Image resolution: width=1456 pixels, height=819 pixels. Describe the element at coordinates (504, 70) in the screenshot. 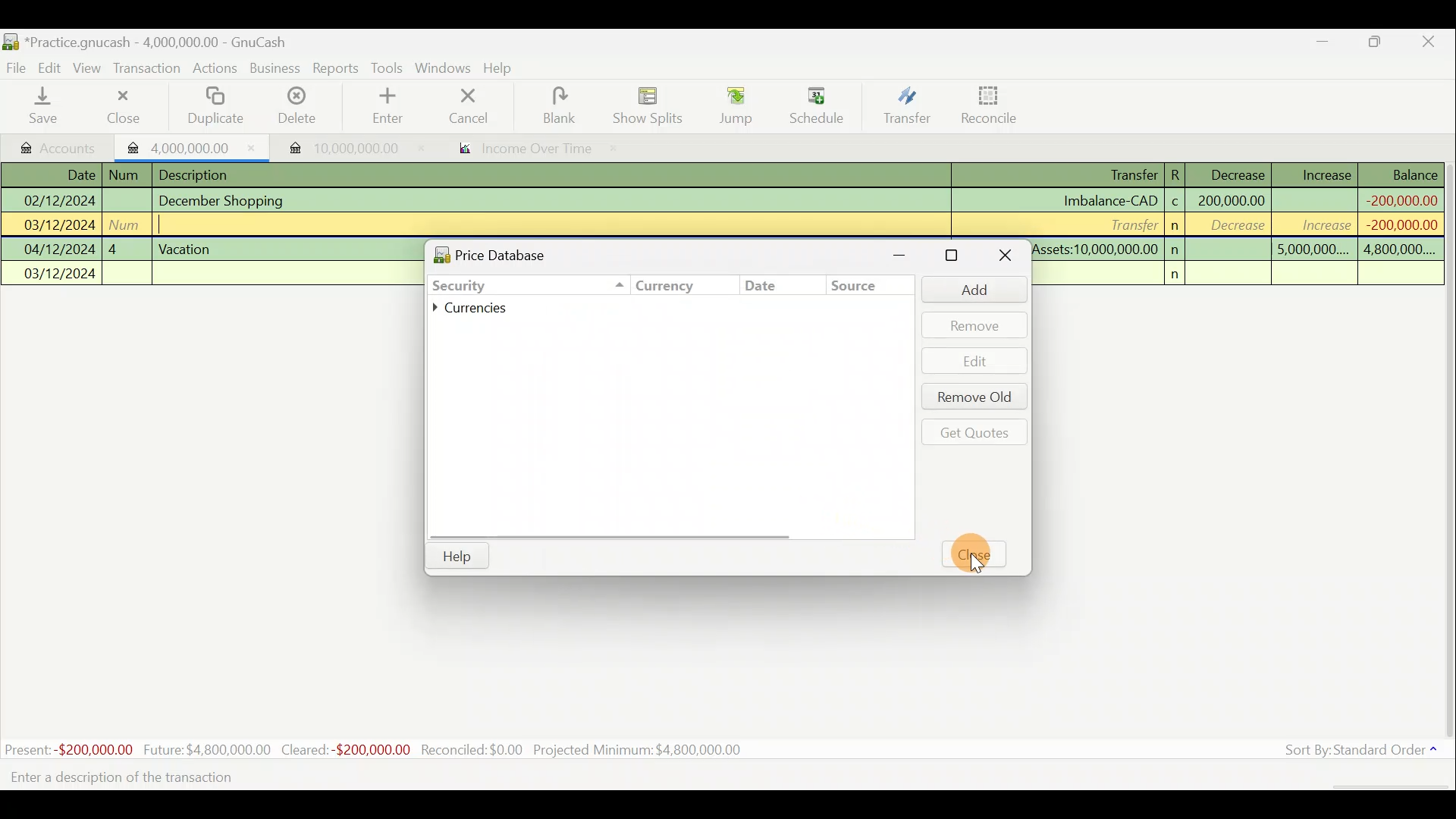

I see `Help` at that location.